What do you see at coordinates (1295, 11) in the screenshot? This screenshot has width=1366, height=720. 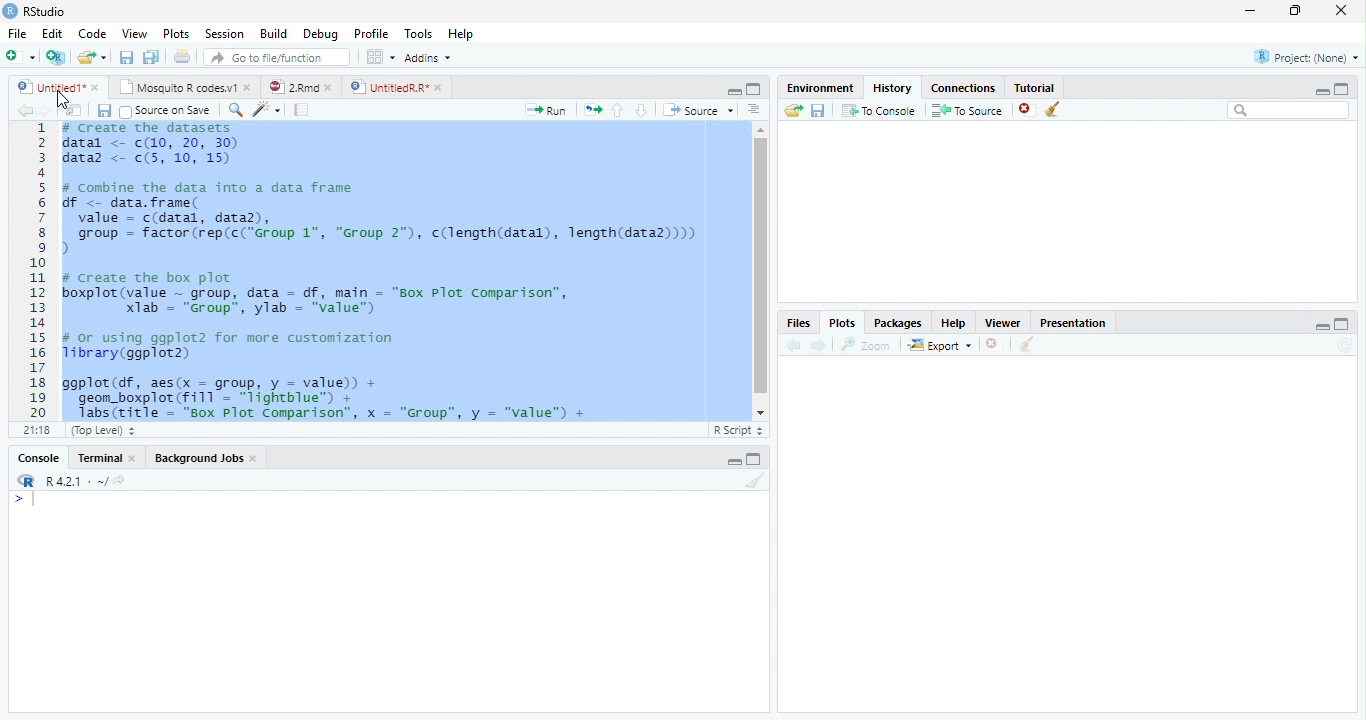 I see `restore` at bounding box center [1295, 11].